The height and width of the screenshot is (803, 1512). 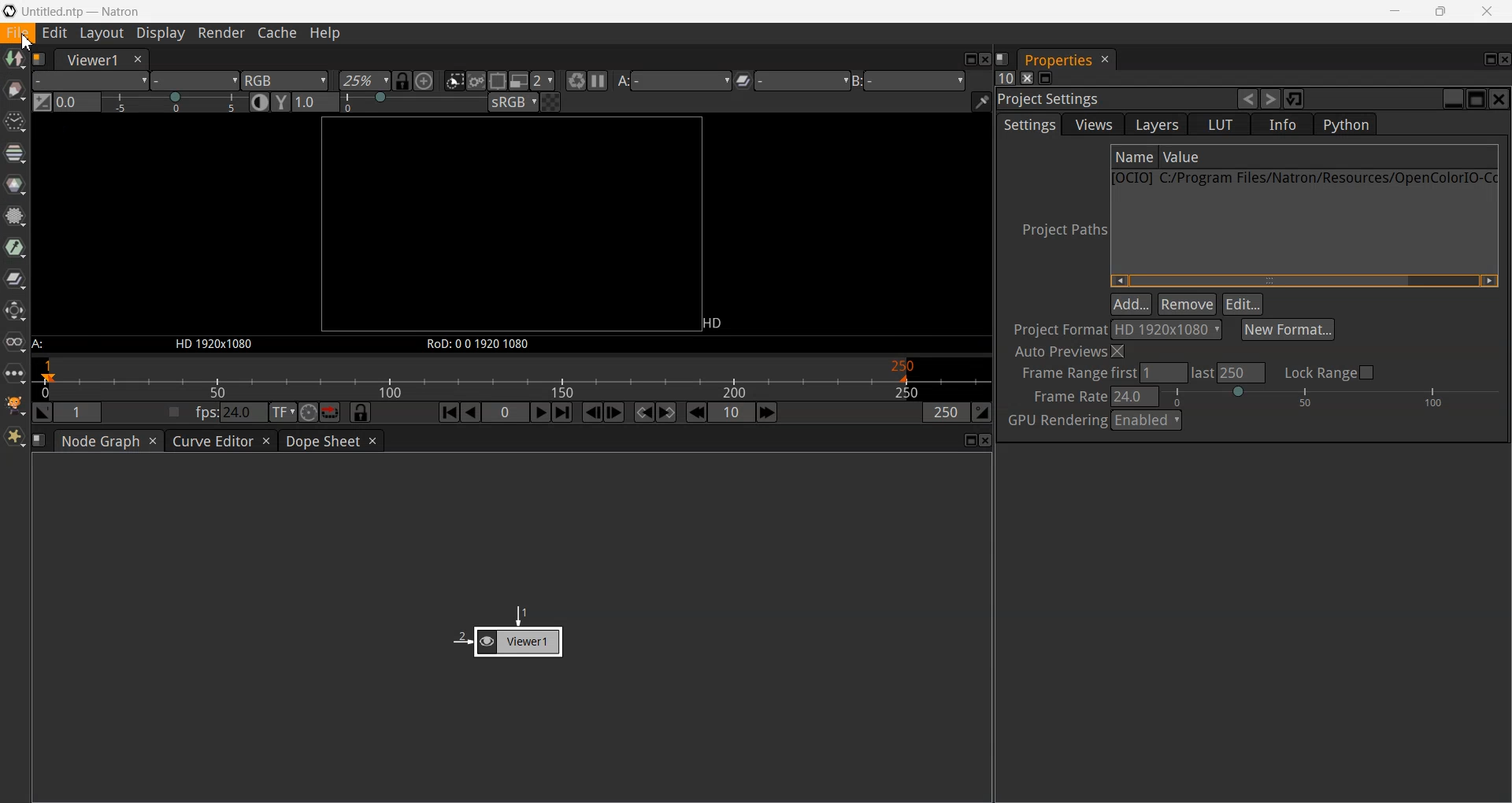 I want to click on Redo, so click(x=1270, y=98).